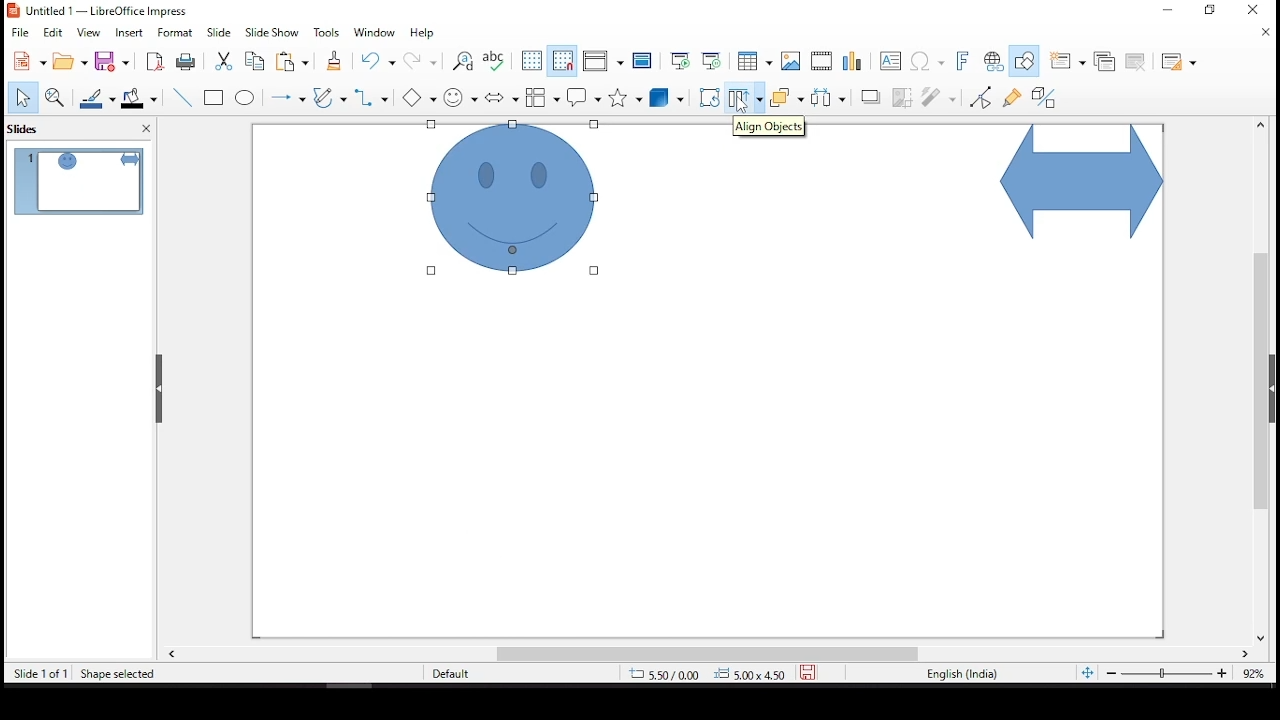 The image size is (1280, 720). Describe the element at coordinates (1268, 34) in the screenshot. I see `close` at that location.